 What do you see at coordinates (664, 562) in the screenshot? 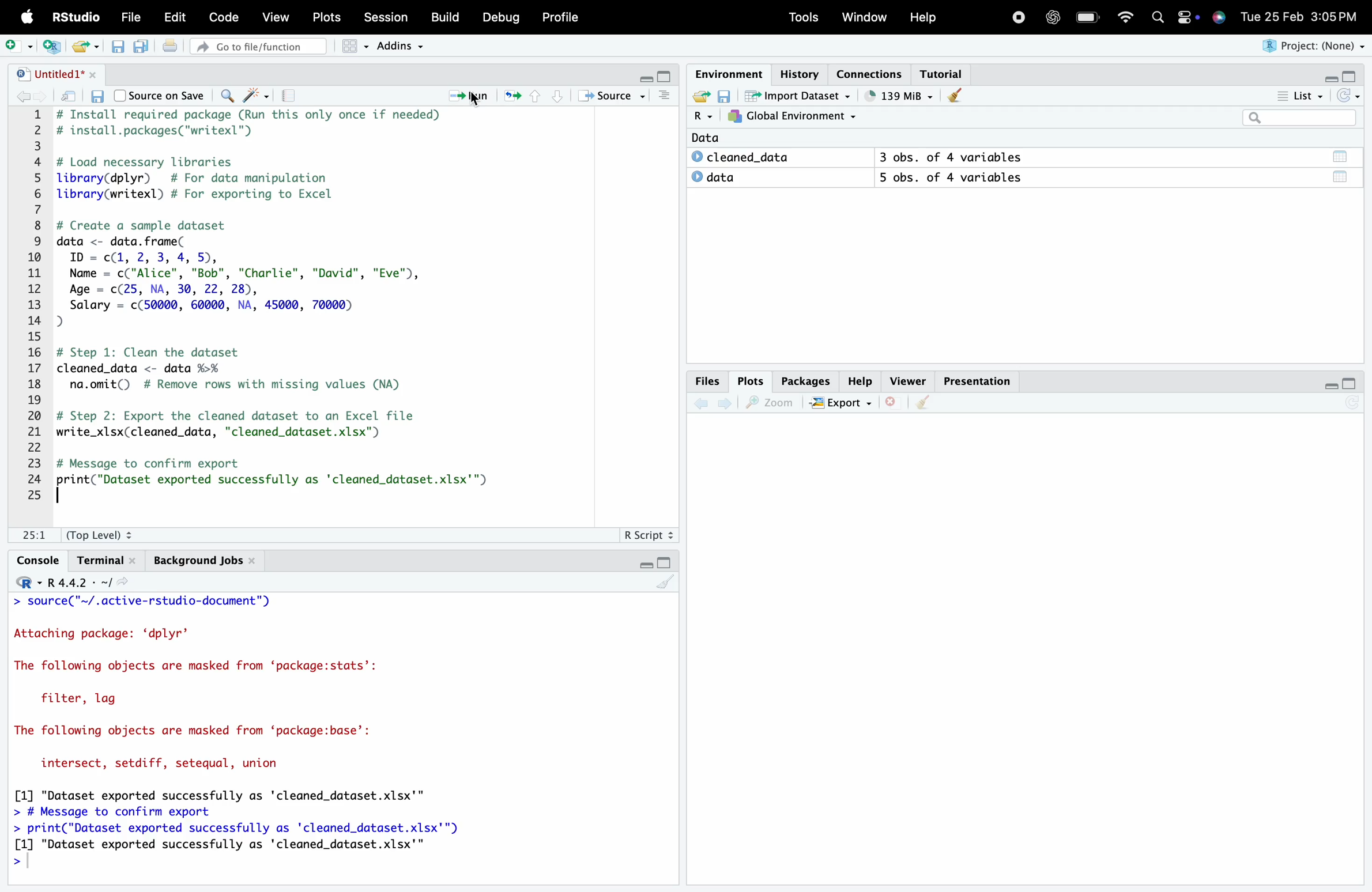
I see `Maximize` at bounding box center [664, 562].